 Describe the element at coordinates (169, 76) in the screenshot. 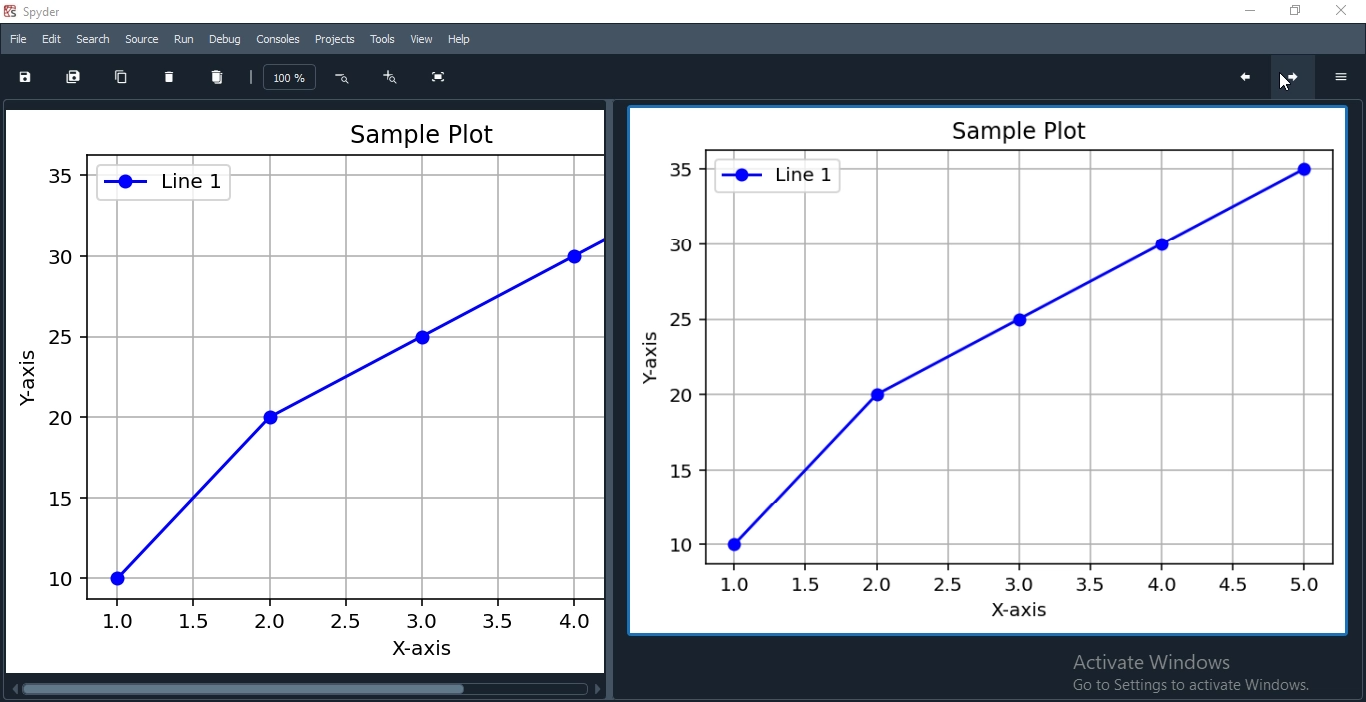

I see `delete` at that location.